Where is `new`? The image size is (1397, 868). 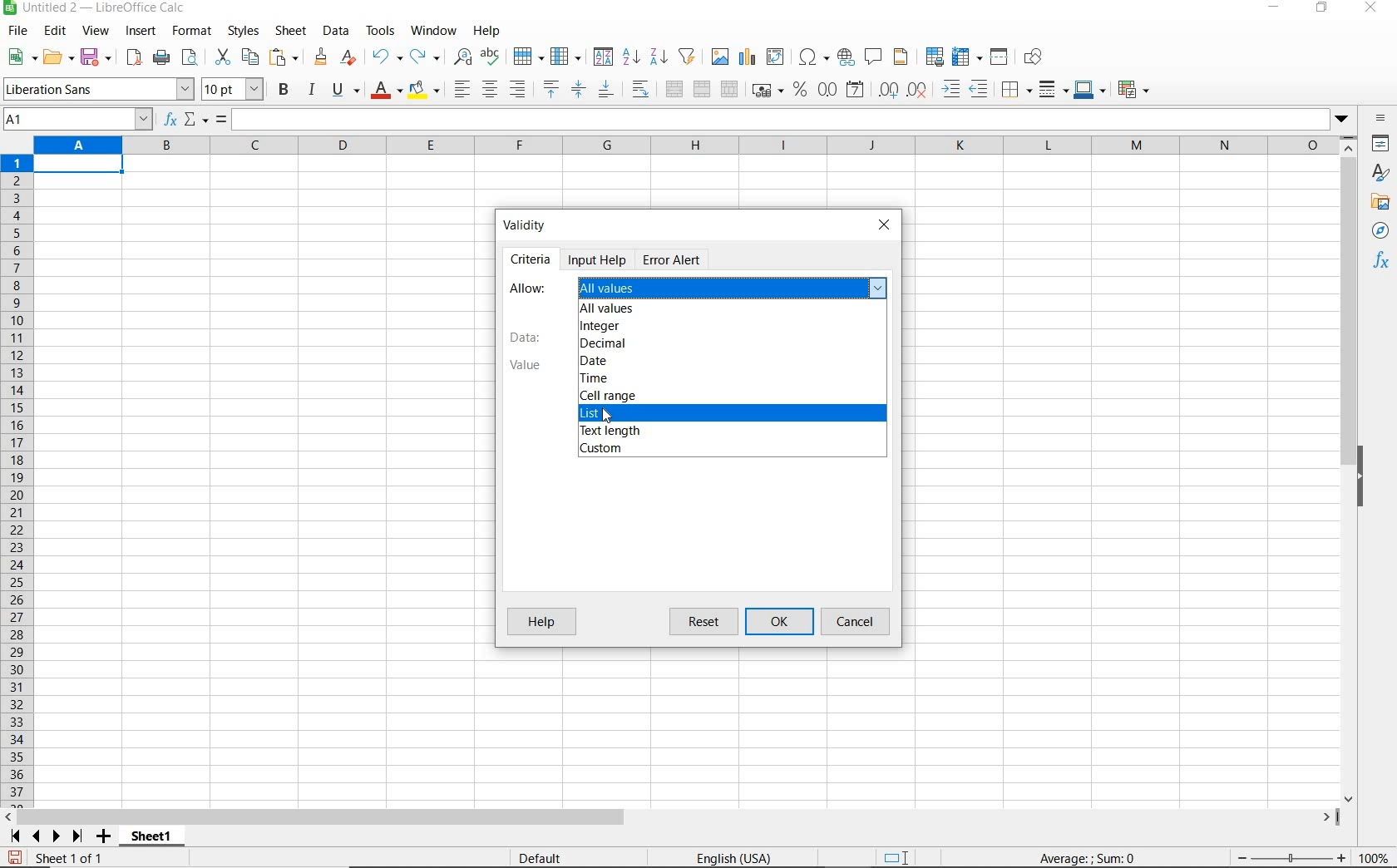 new is located at coordinates (22, 57).